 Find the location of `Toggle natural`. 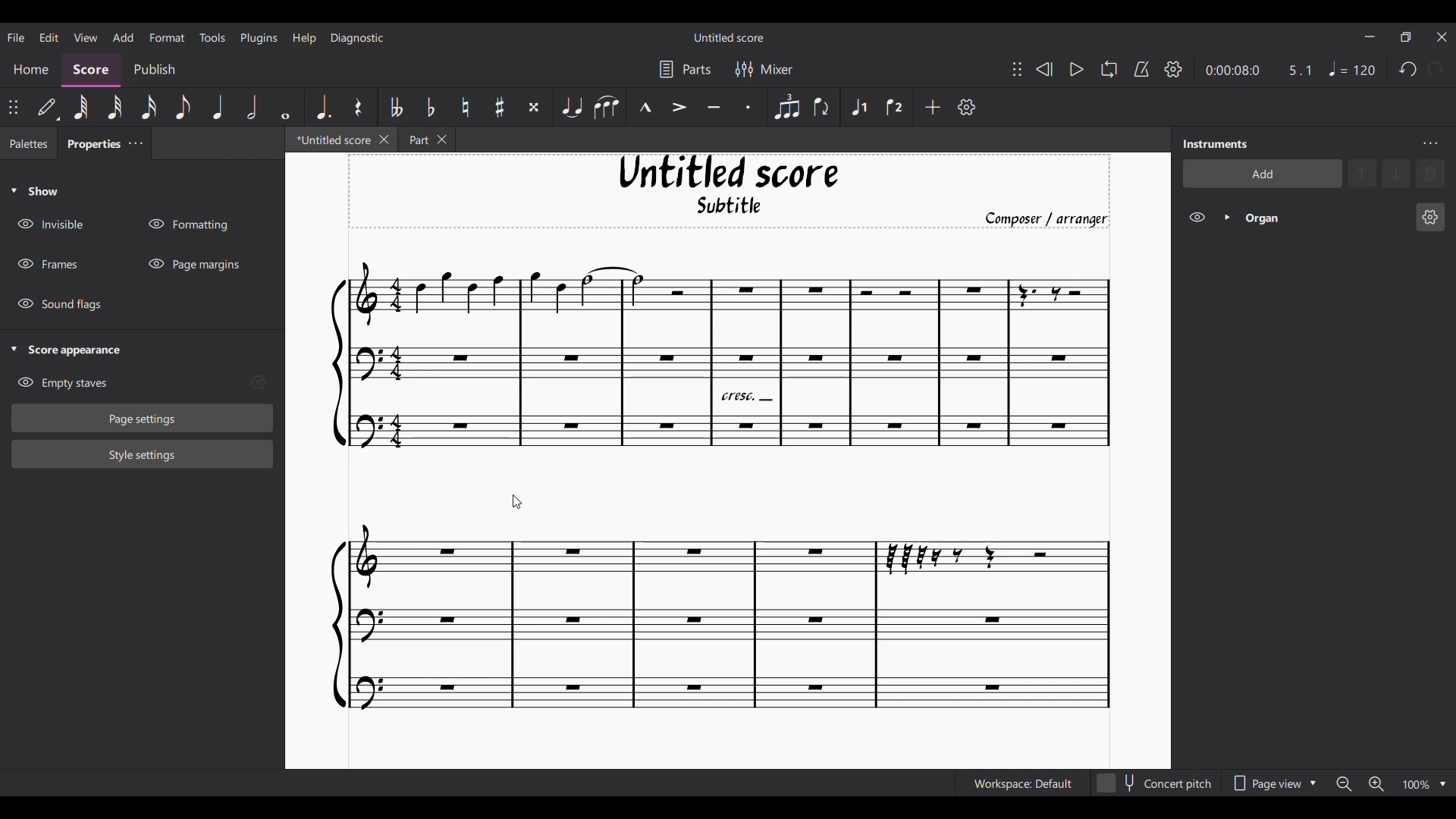

Toggle natural is located at coordinates (465, 107).